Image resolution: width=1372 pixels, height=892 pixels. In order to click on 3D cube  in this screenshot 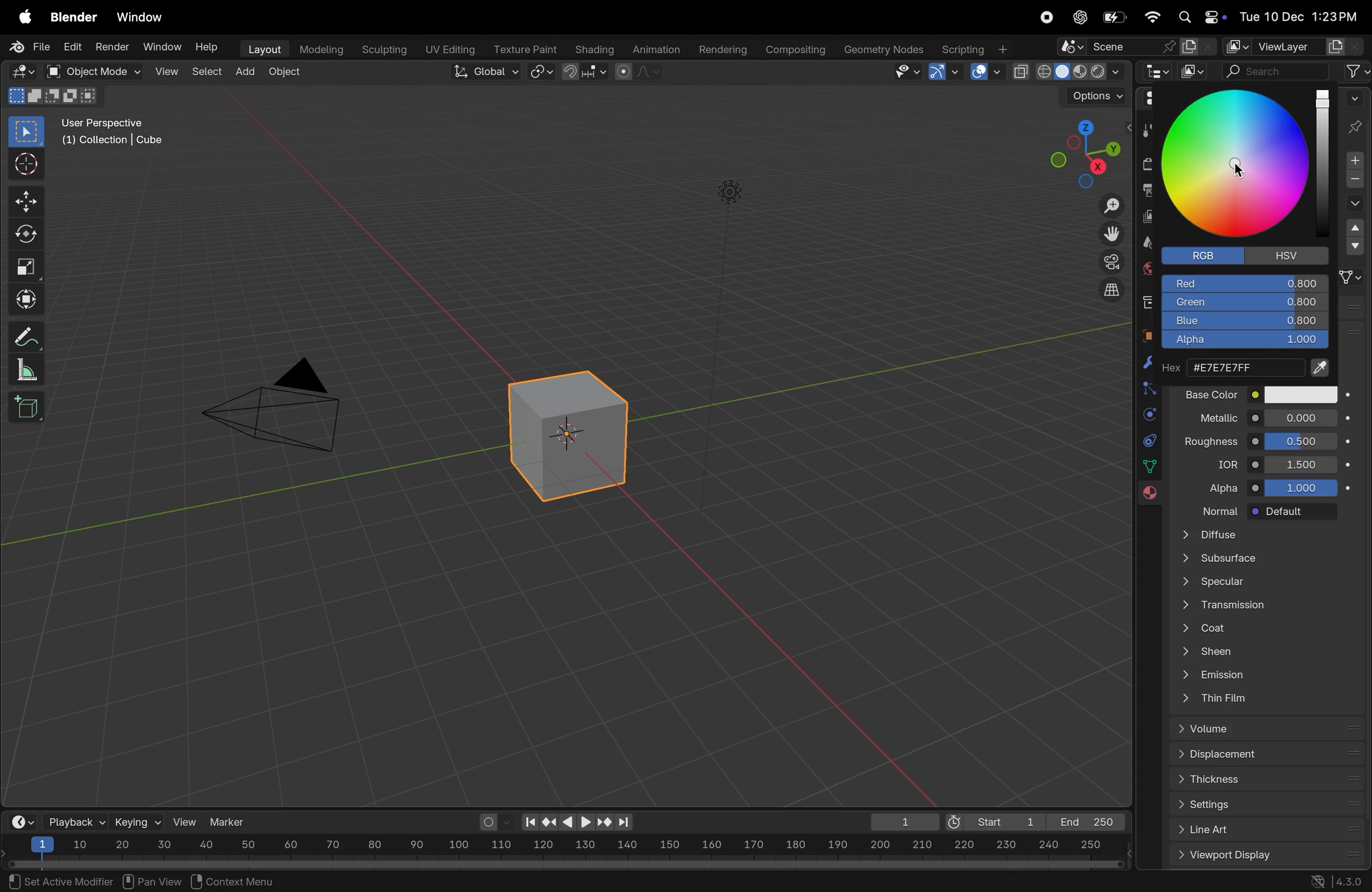, I will do `click(564, 436)`.